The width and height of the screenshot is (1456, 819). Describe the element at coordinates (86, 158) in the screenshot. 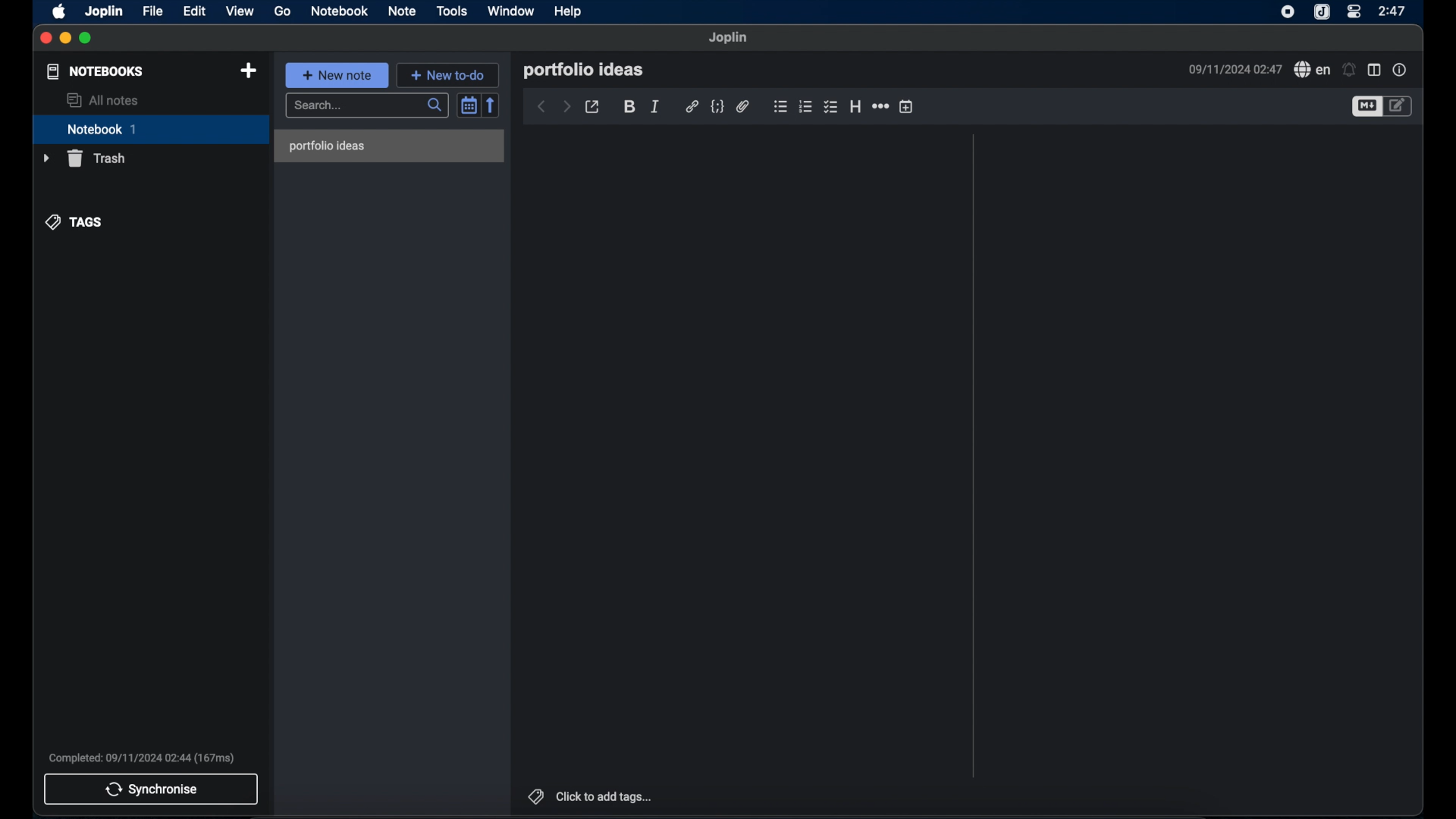

I see `trash` at that location.